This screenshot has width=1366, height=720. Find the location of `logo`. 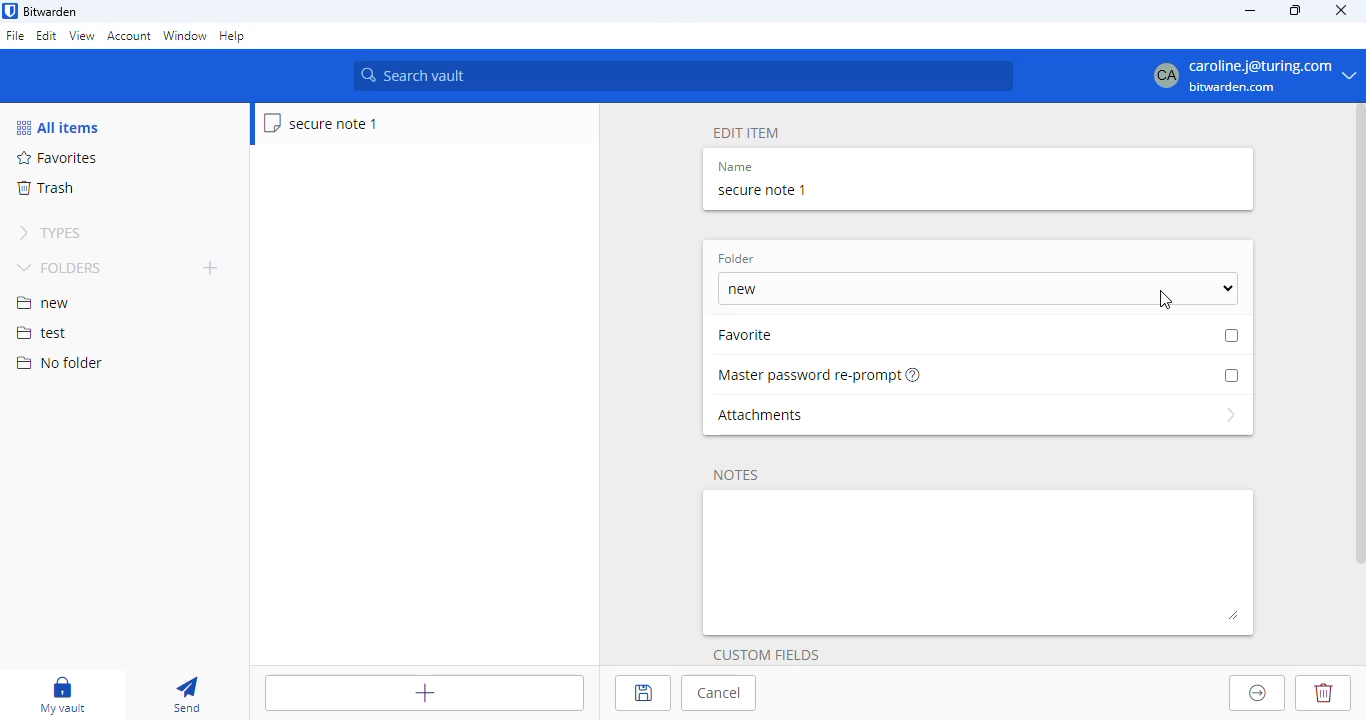

logo is located at coordinates (10, 11).